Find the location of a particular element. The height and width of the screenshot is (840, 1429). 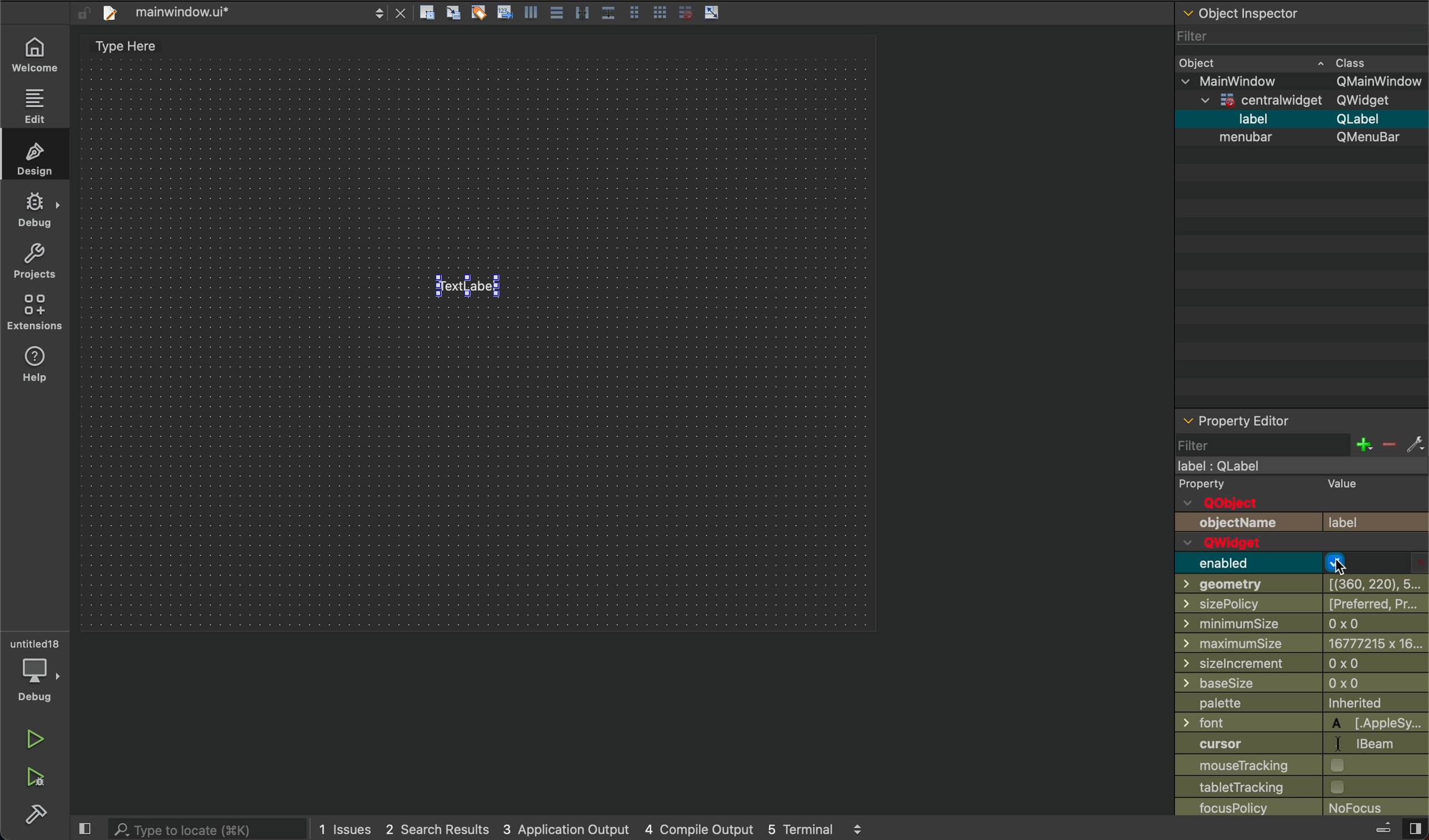

sizePolicy is located at coordinates (1243, 604).